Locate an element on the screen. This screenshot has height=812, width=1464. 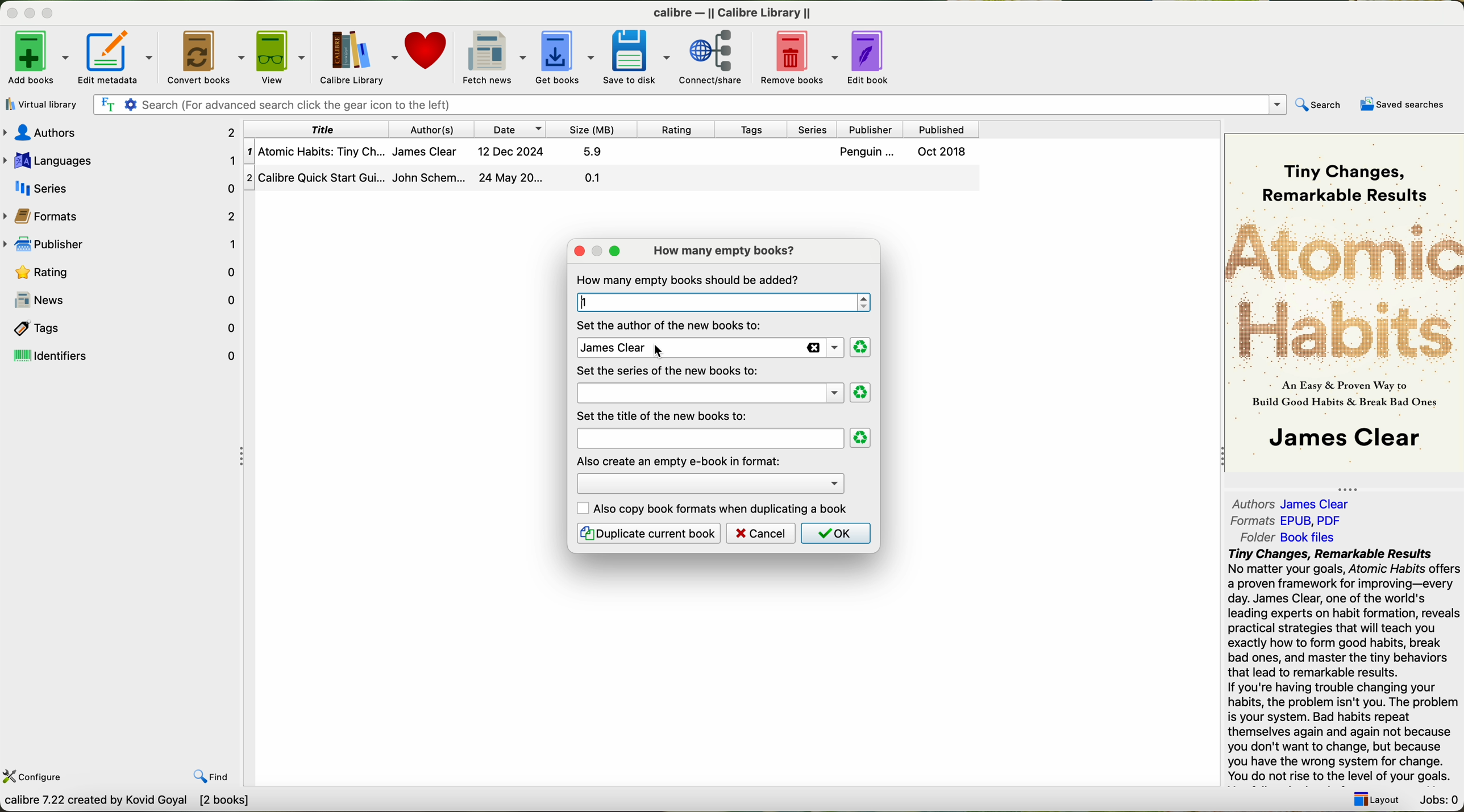
title is located at coordinates (708, 438).